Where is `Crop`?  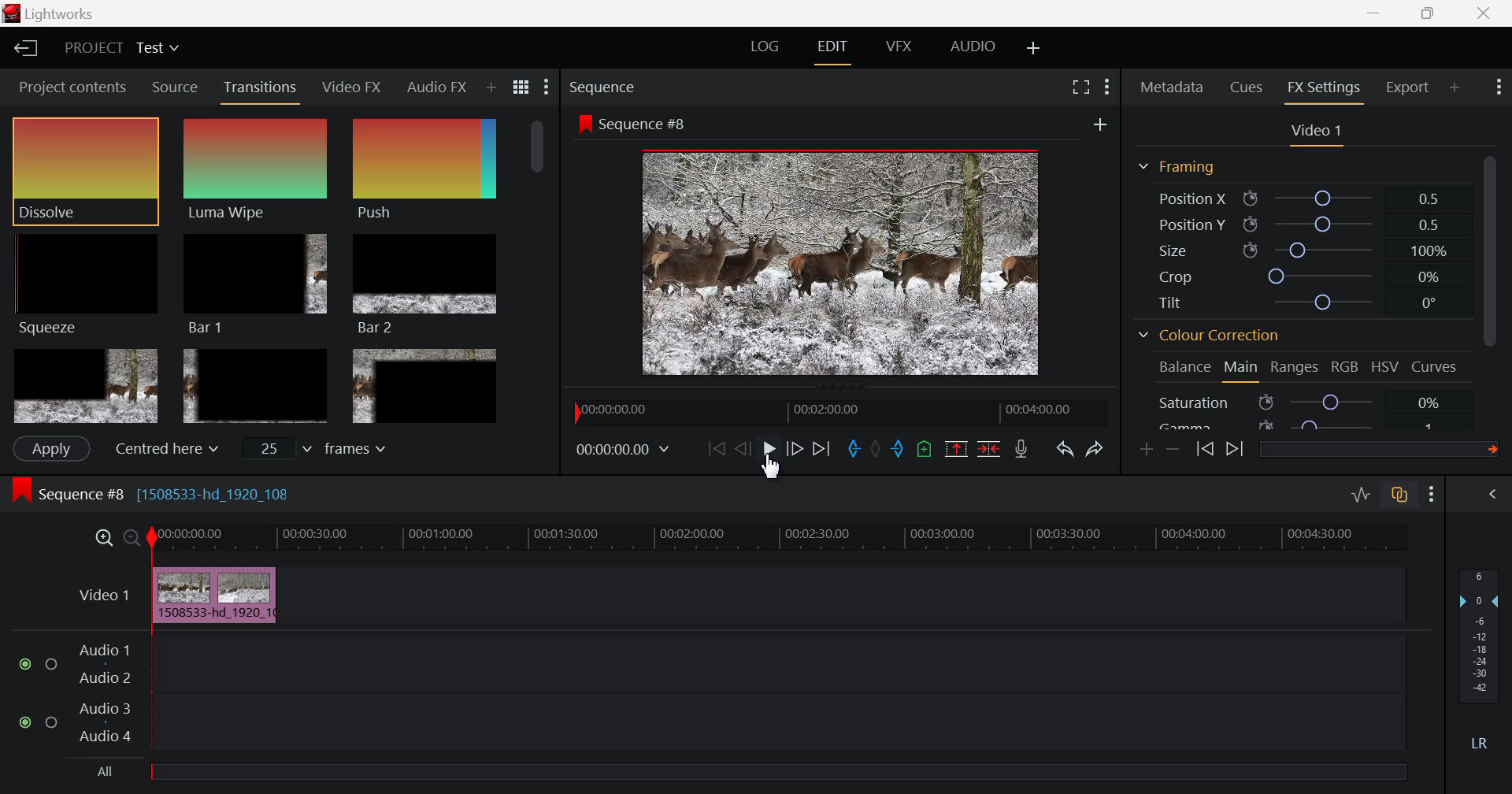
Crop is located at coordinates (1300, 276).